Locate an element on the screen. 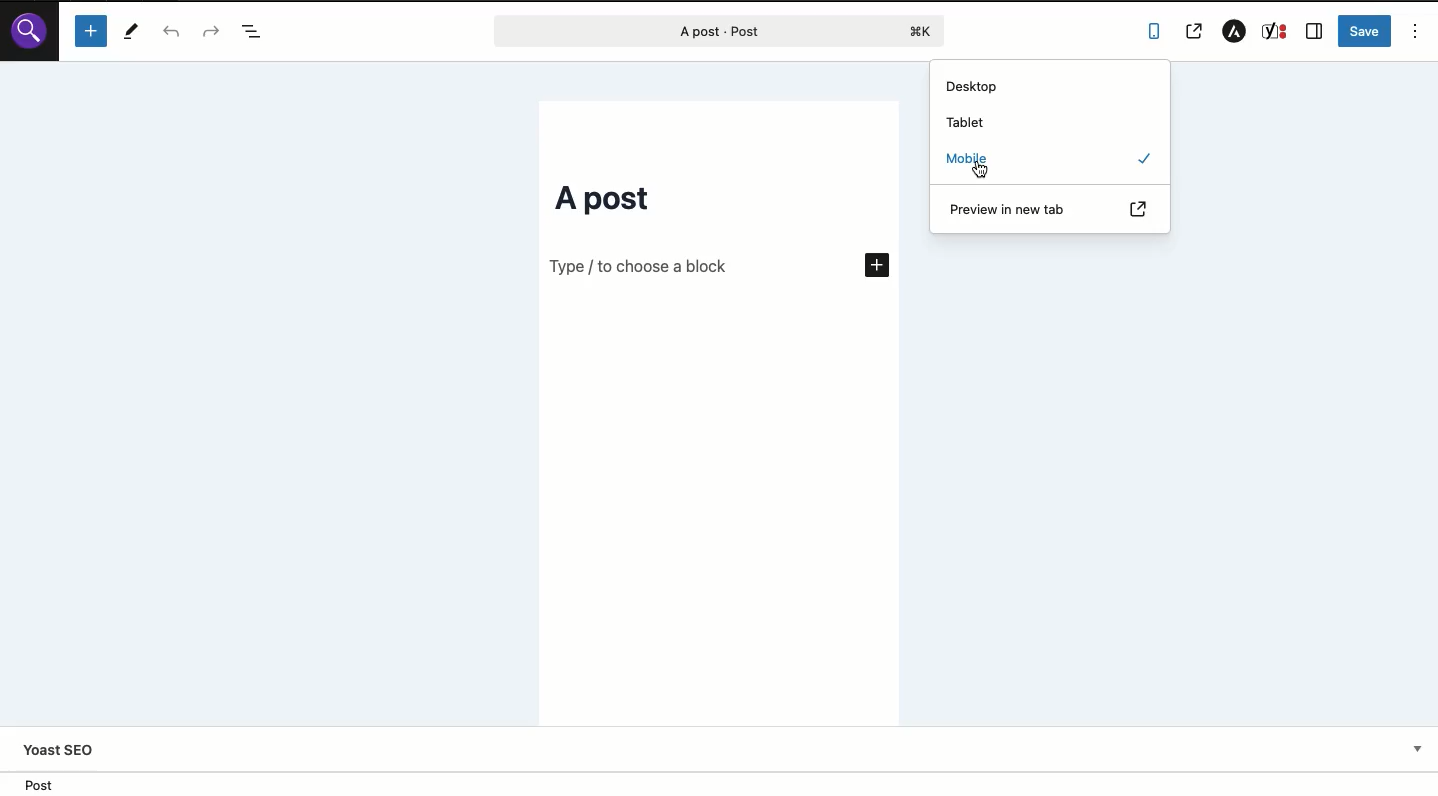  Mobile view is located at coordinates (784, 204).